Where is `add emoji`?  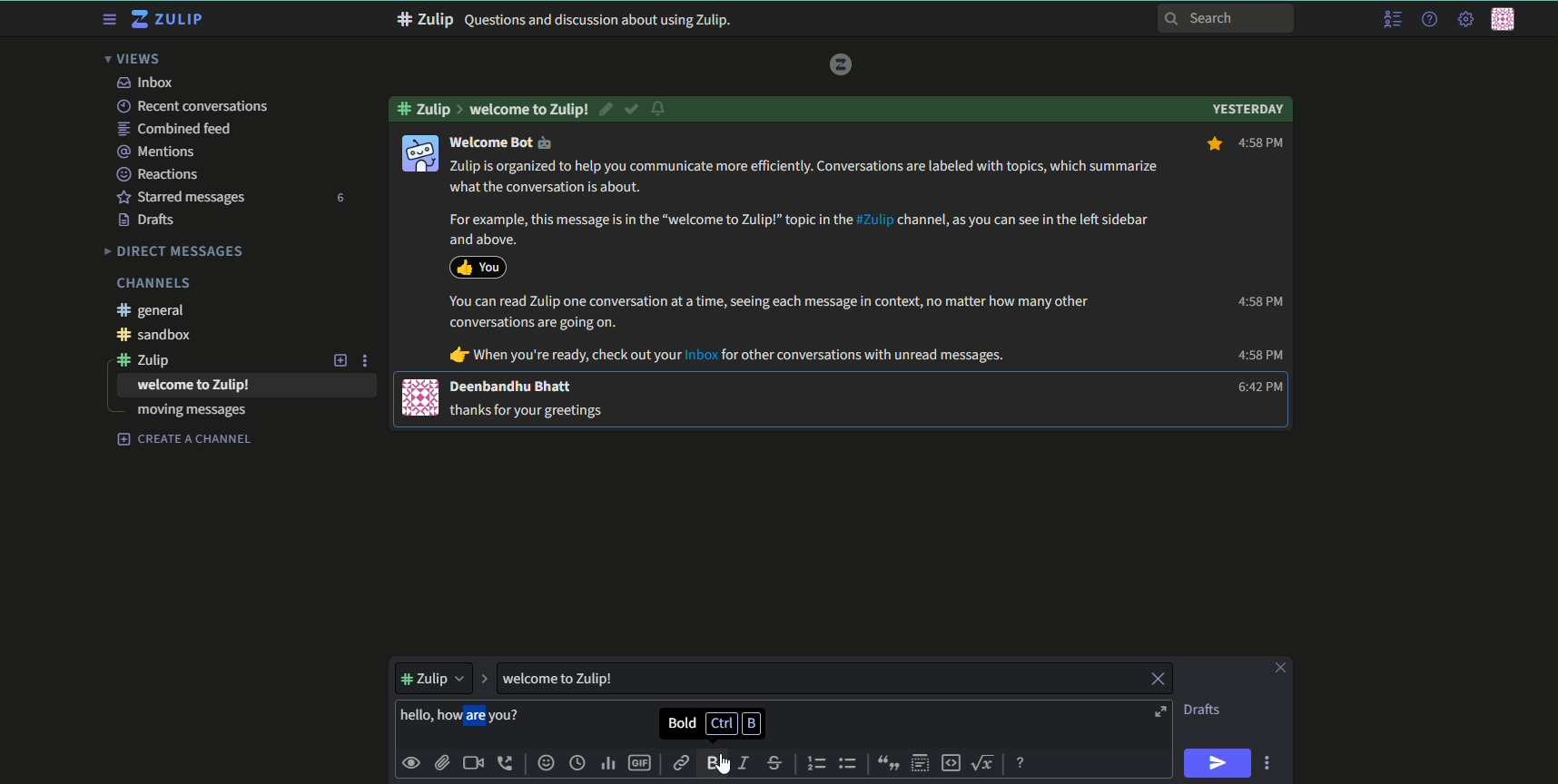 add emoji is located at coordinates (545, 763).